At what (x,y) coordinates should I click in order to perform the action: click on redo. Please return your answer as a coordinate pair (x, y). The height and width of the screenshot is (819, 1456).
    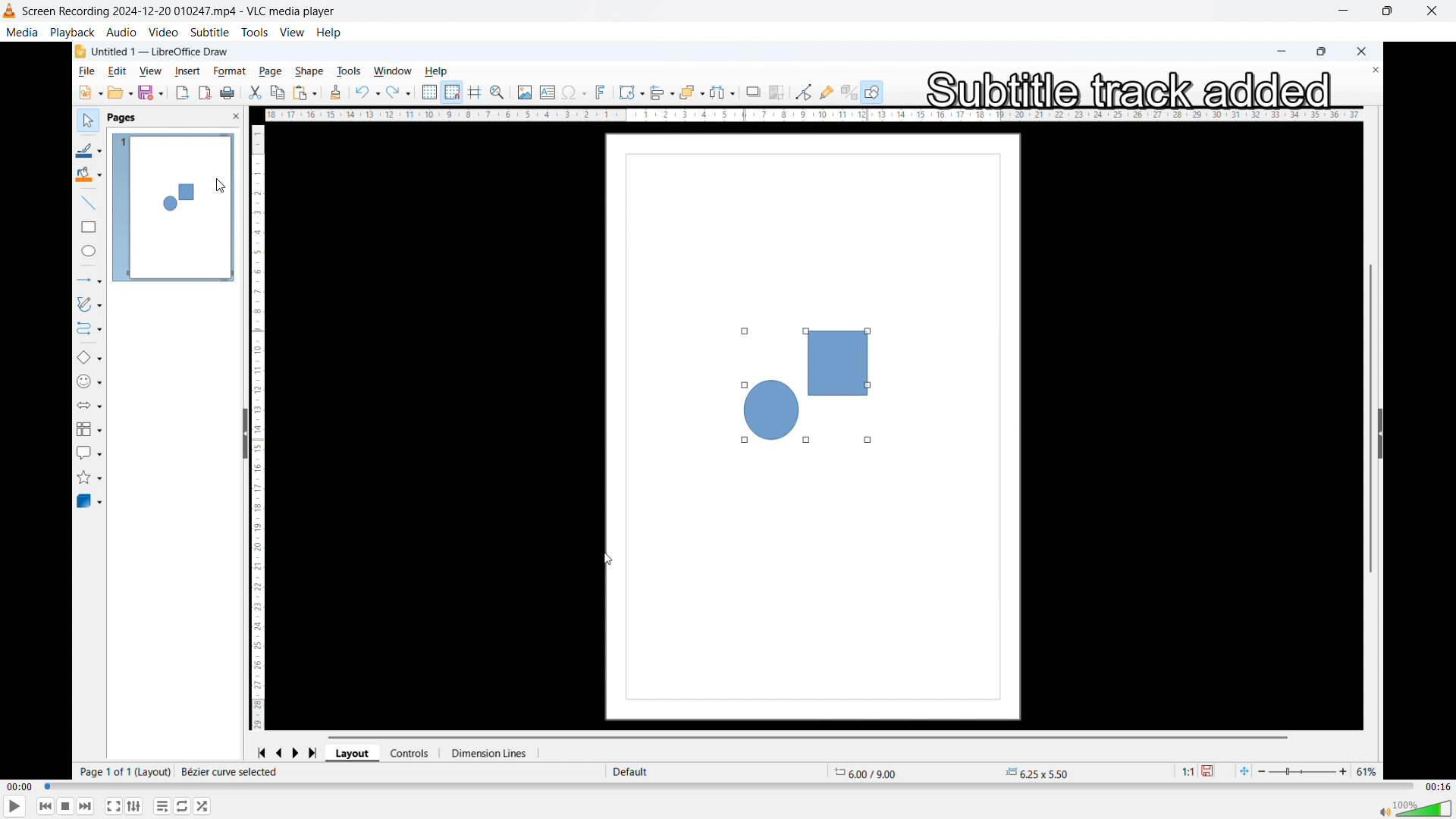
    Looking at the image, I should click on (400, 91).